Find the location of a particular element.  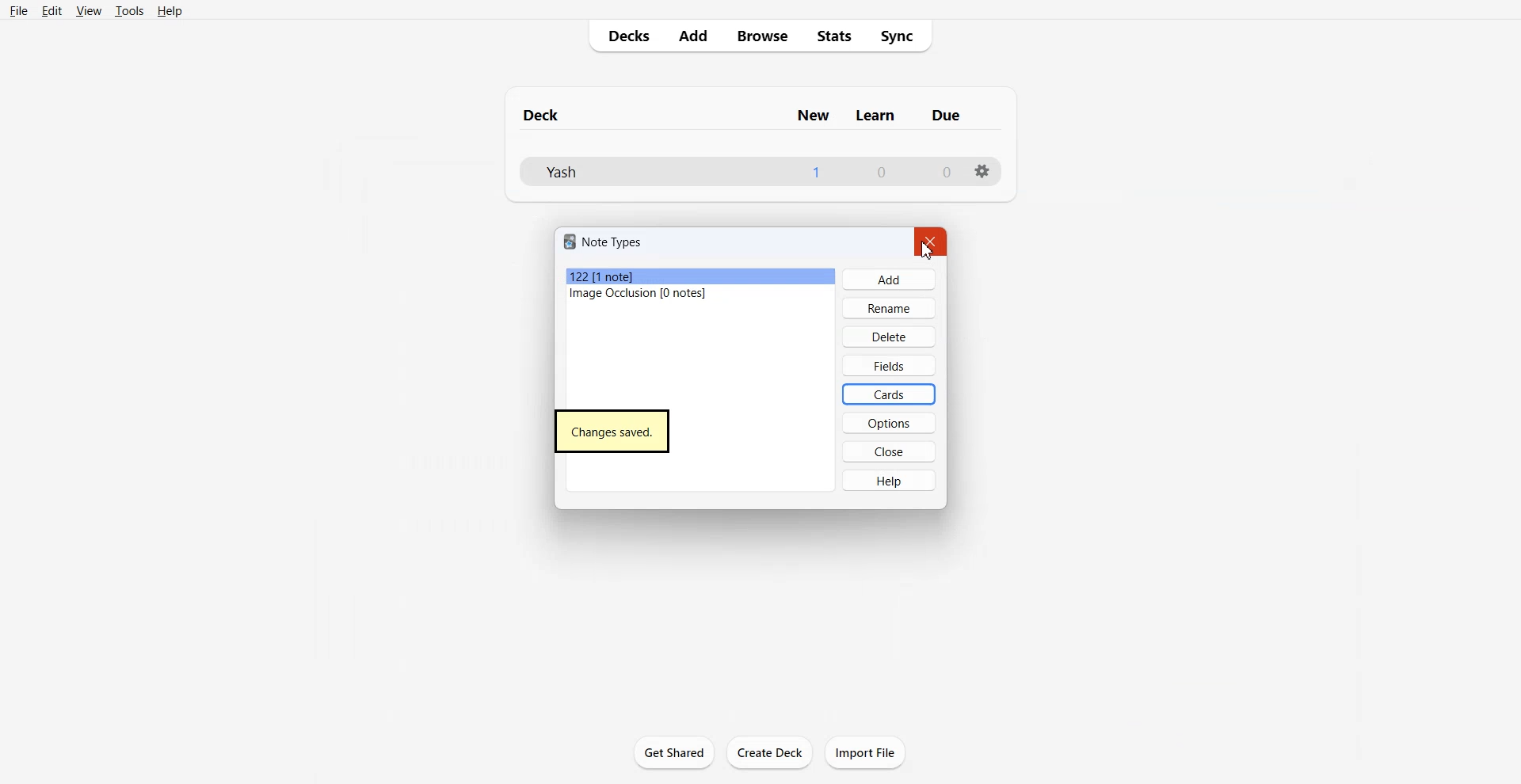

Add is located at coordinates (692, 37).